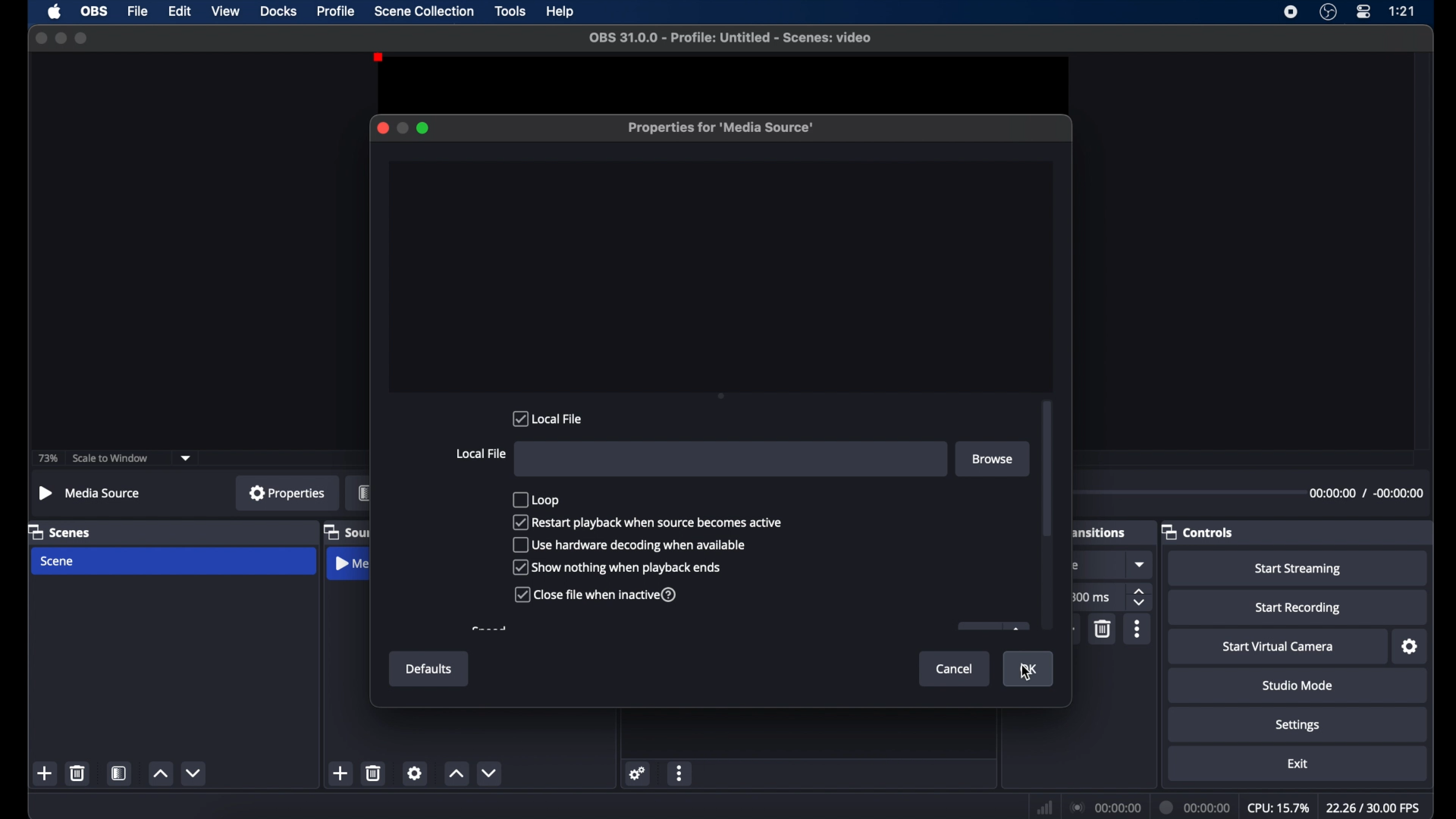  What do you see at coordinates (549, 419) in the screenshot?
I see `local file` at bounding box center [549, 419].